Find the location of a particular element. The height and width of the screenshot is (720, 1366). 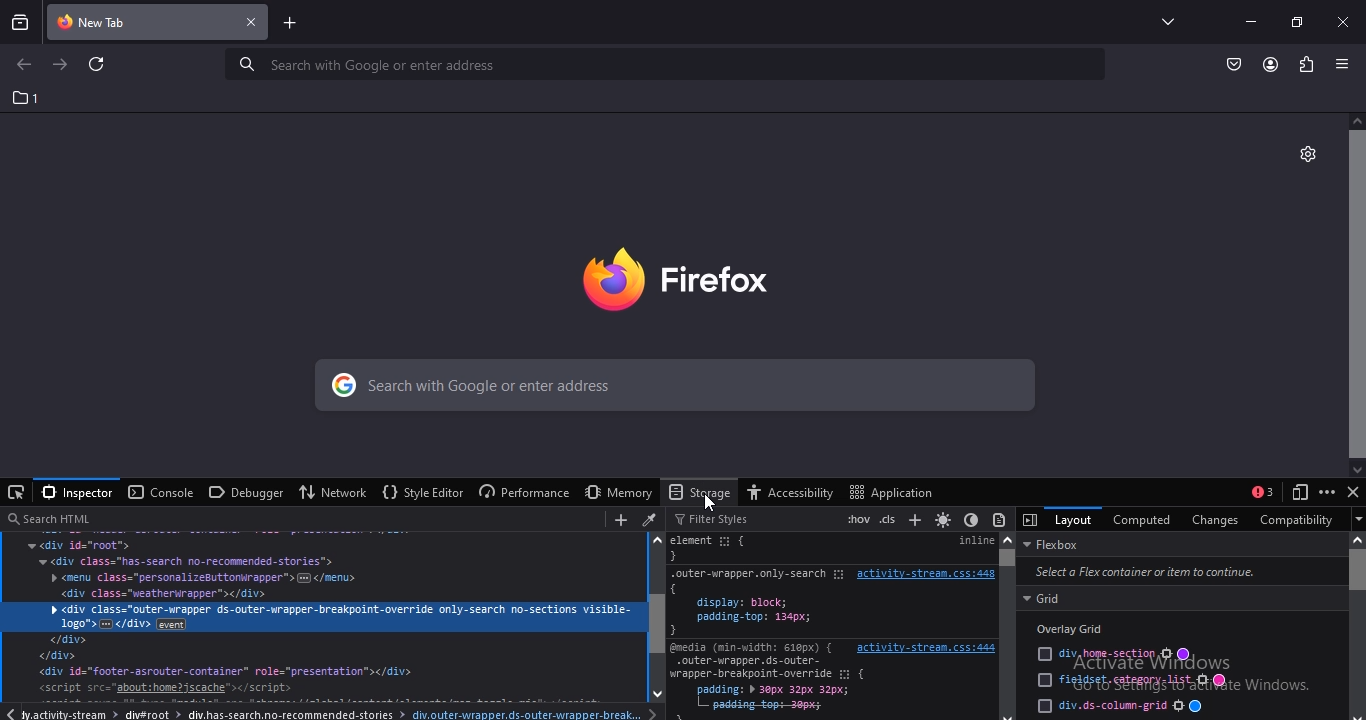

scroll bar is located at coordinates (658, 616).